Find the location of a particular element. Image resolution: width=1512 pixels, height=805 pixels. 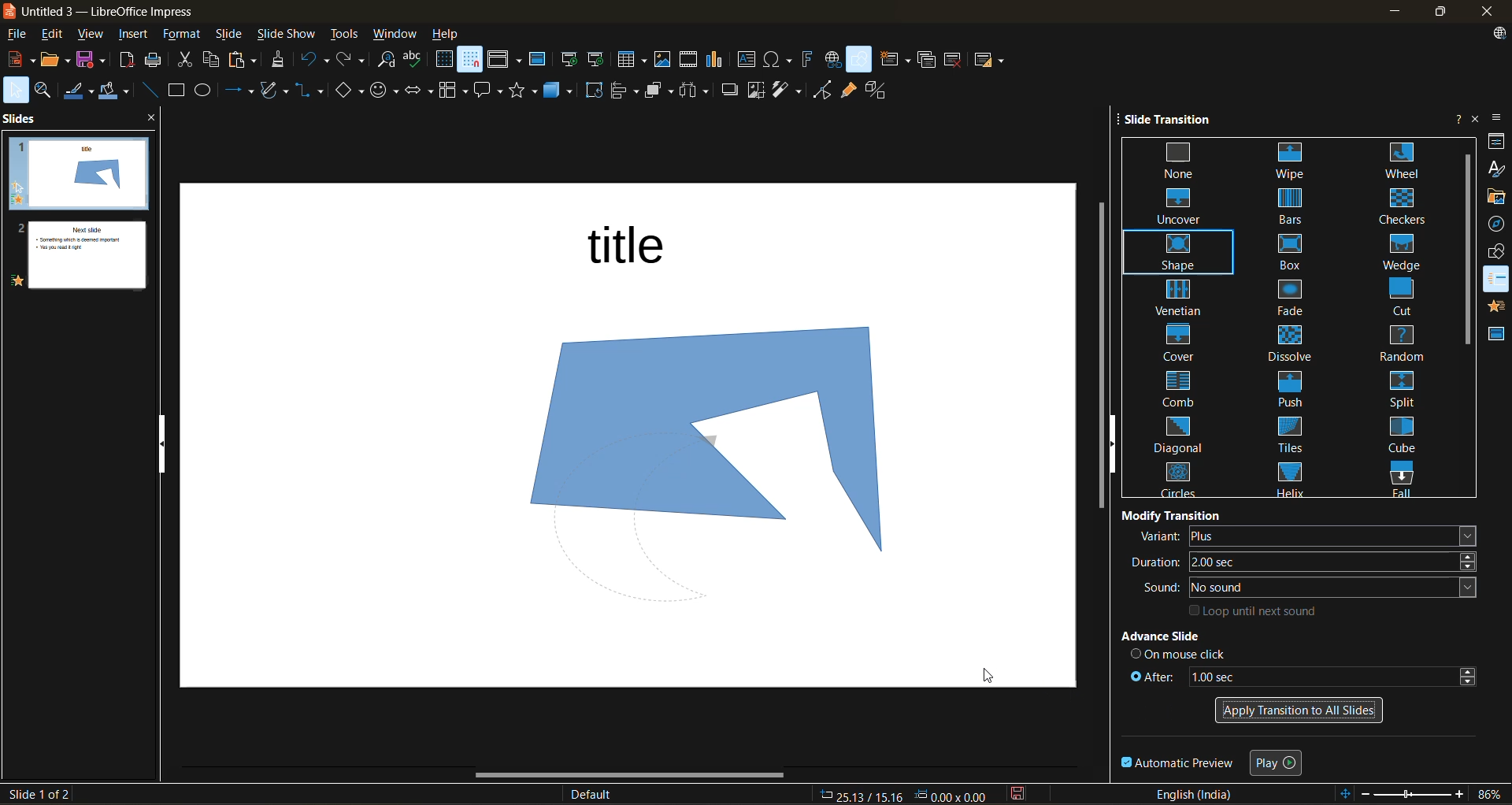

export directly as pdf is located at coordinates (128, 64).